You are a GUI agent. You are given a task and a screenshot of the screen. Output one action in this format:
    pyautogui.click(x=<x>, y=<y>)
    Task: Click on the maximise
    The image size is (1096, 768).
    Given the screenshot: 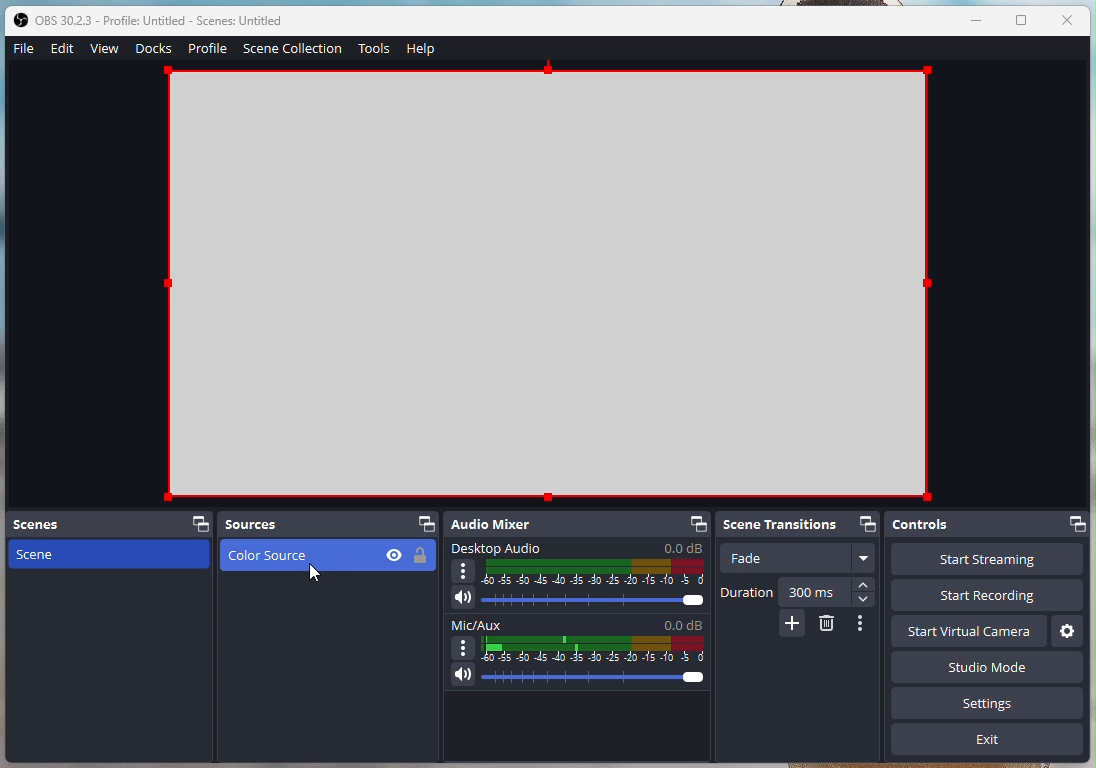 What is the action you would take?
    pyautogui.click(x=1023, y=21)
    